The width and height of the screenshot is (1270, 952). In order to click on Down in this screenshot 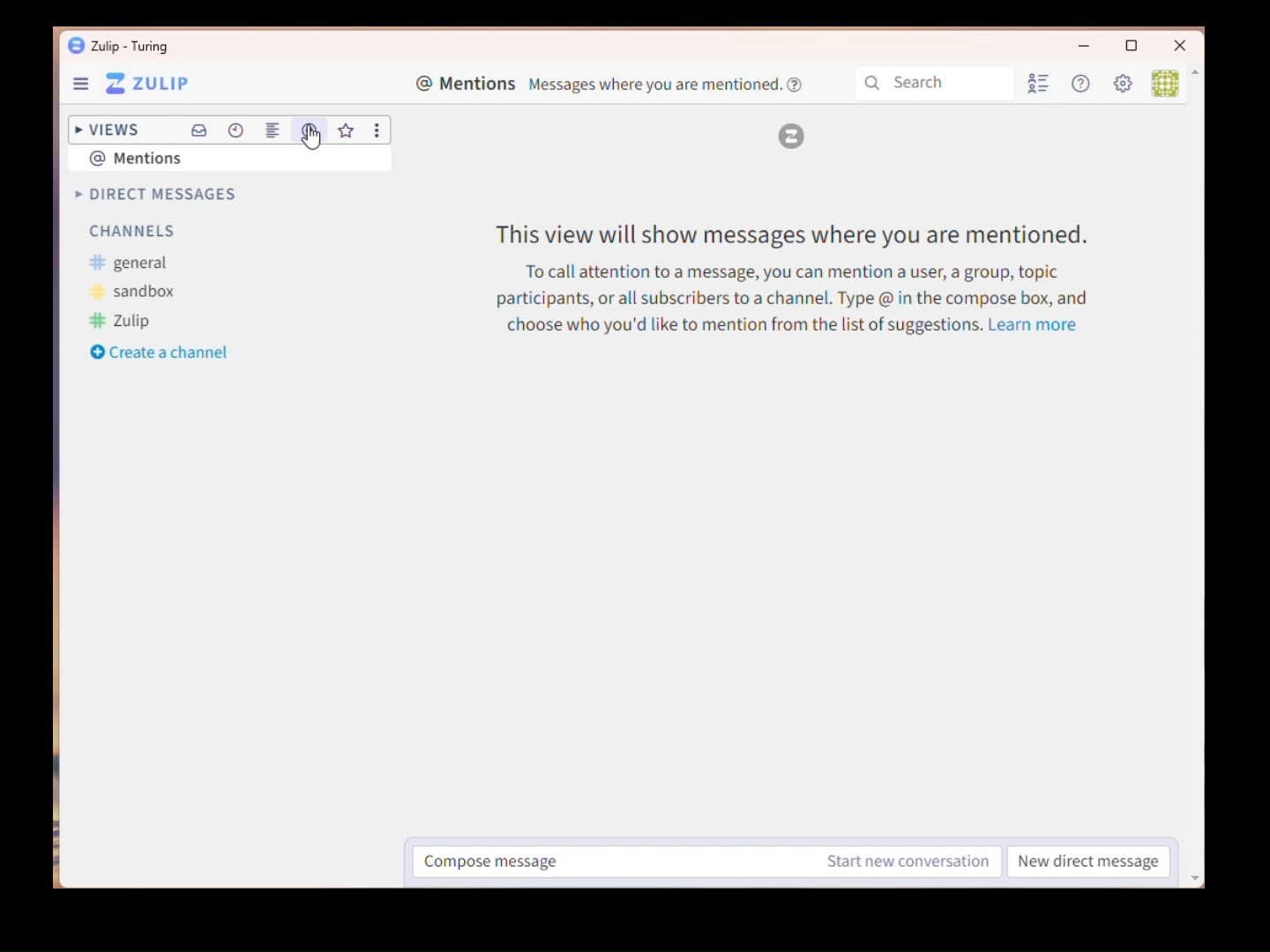, I will do `click(1198, 869)`.